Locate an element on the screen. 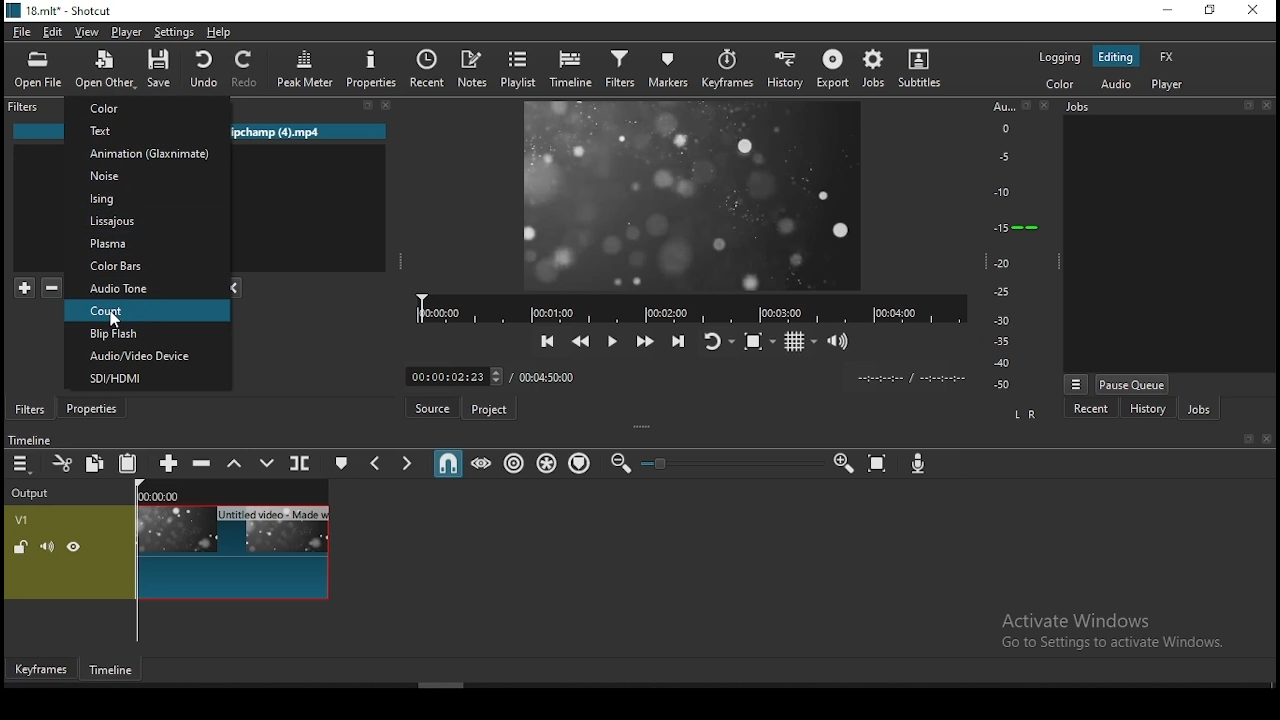  timeline is located at coordinates (571, 68).